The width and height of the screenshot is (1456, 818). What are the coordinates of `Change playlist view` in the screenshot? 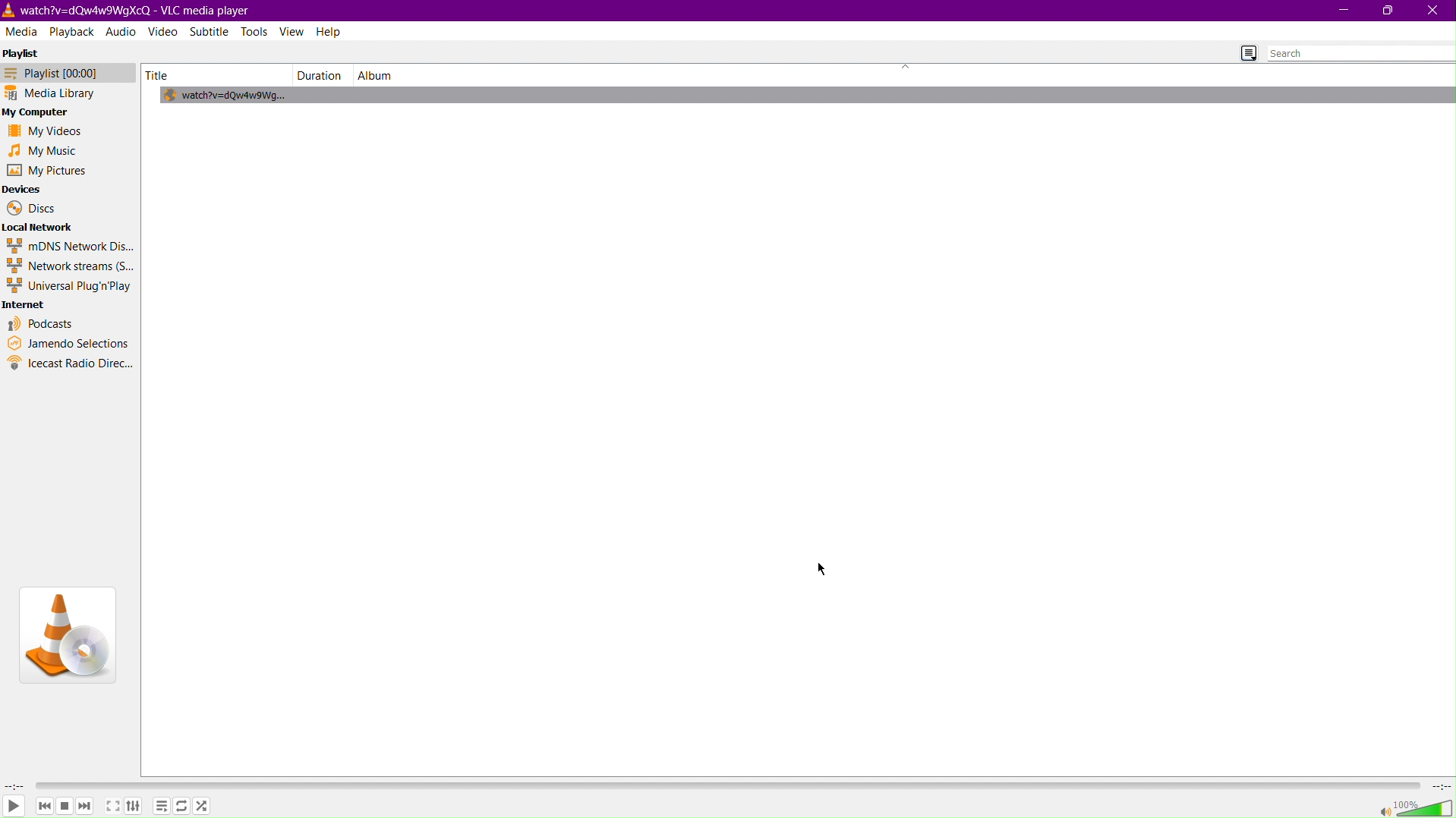 It's located at (1246, 52).